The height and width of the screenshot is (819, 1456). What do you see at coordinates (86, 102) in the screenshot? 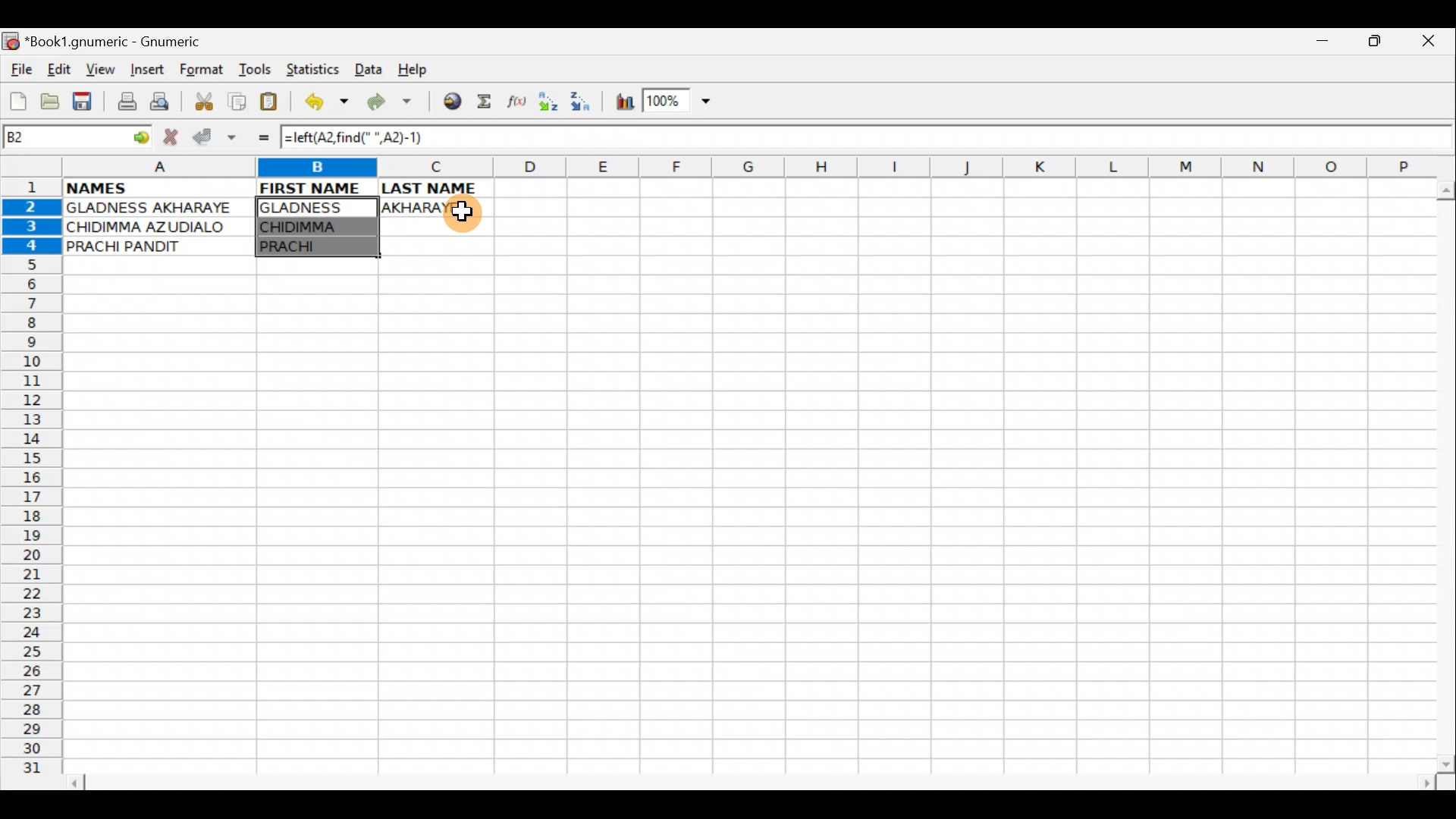
I see `Save current workbook` at bounding box center [86, 102].